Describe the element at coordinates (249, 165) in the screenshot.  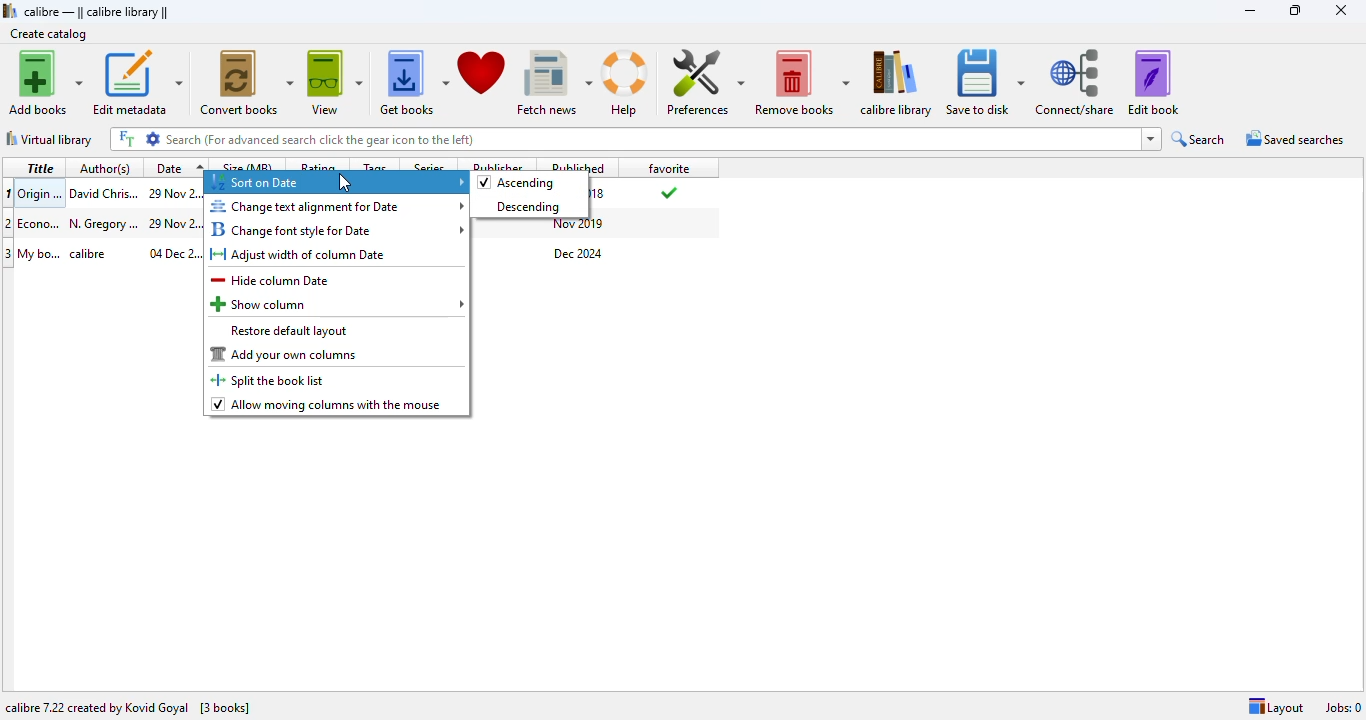
I see `size(MB)` at that location.